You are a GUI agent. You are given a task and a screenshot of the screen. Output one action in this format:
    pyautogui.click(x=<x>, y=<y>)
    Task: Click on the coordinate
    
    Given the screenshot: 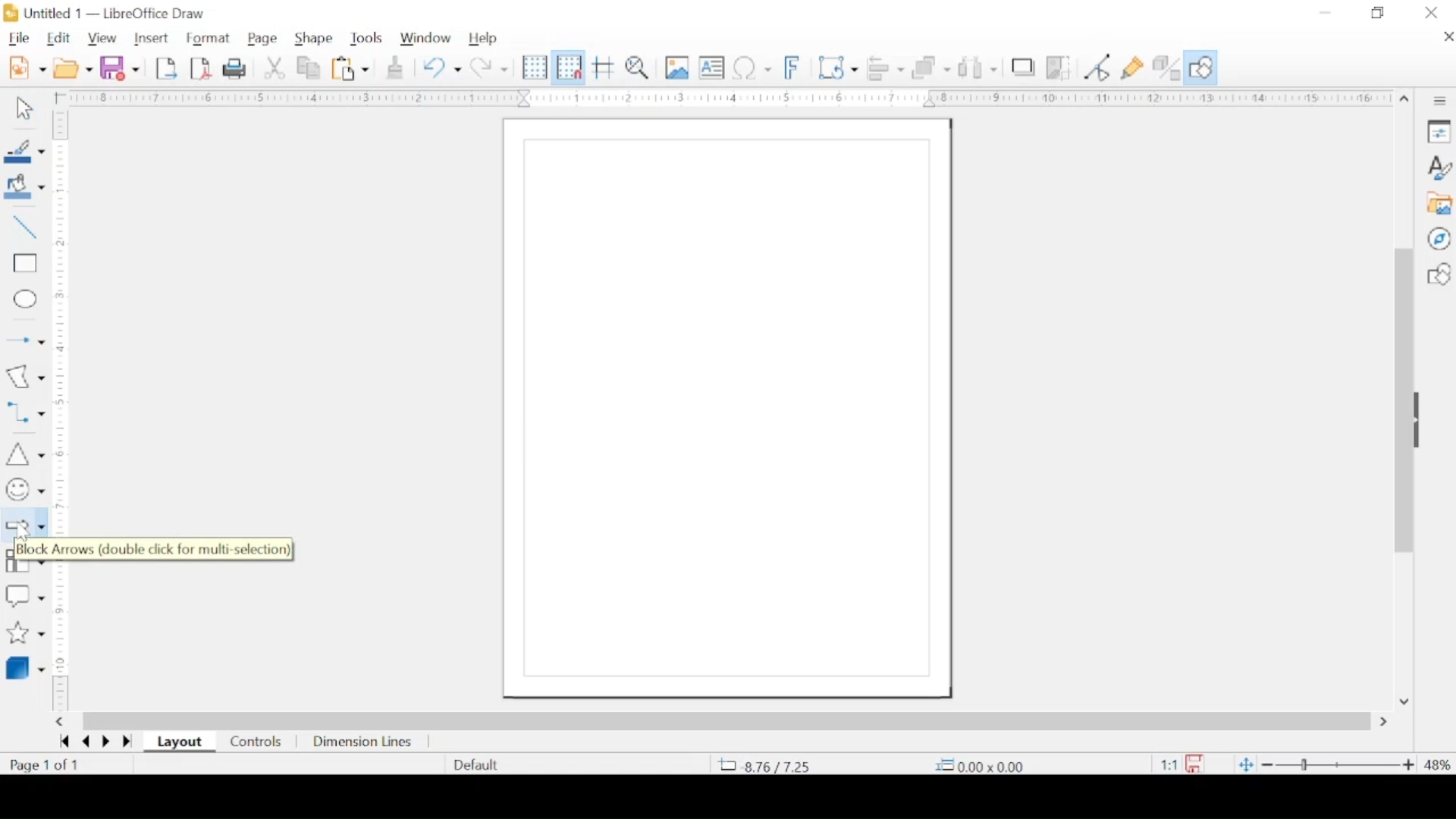 What is the action you would take?
    pyautogui.click(x=980, y=765)
    